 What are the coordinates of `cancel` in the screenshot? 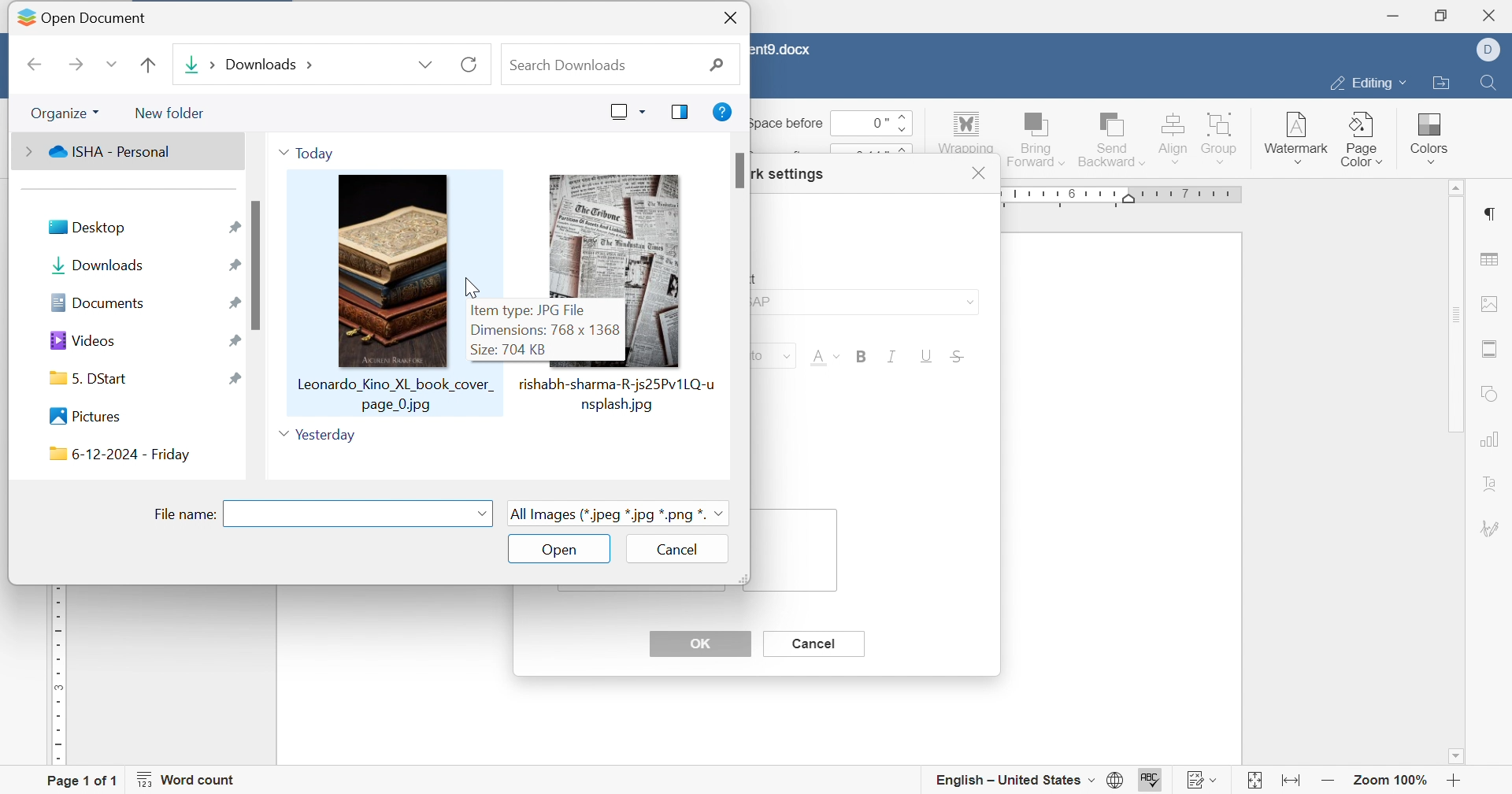 It's located at (811, 643).